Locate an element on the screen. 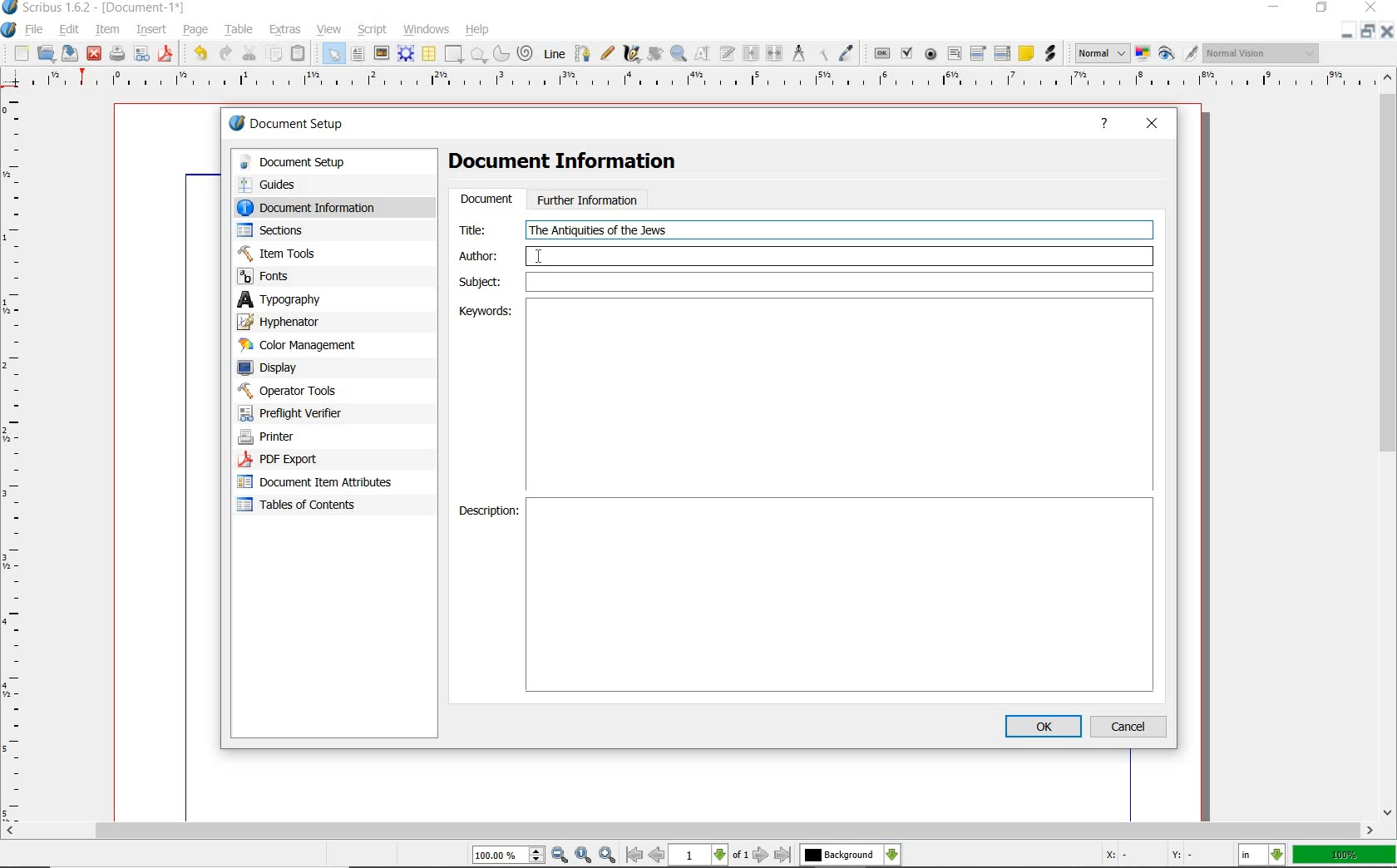 The image size is (1397, 868). pdf push button is located at coordinates (881, 53).